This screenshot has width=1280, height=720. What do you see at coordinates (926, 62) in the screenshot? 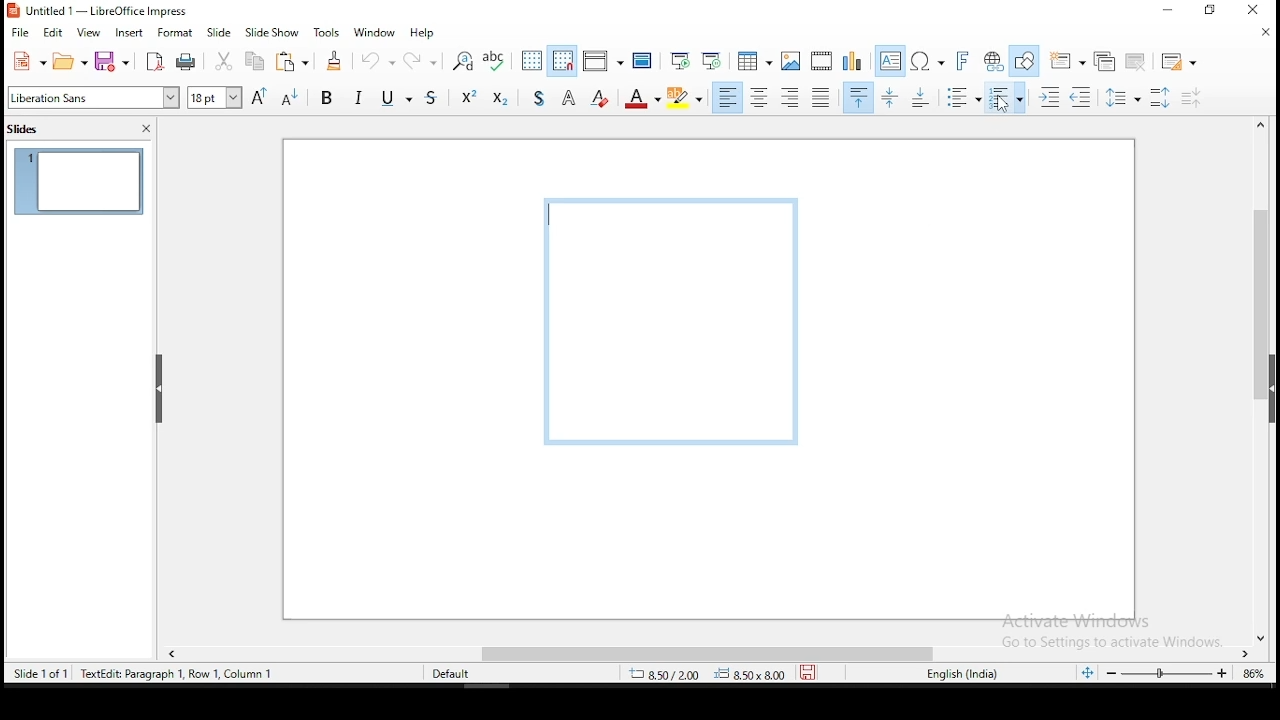
I see `insert special characters` at bounding box center [926, 62].